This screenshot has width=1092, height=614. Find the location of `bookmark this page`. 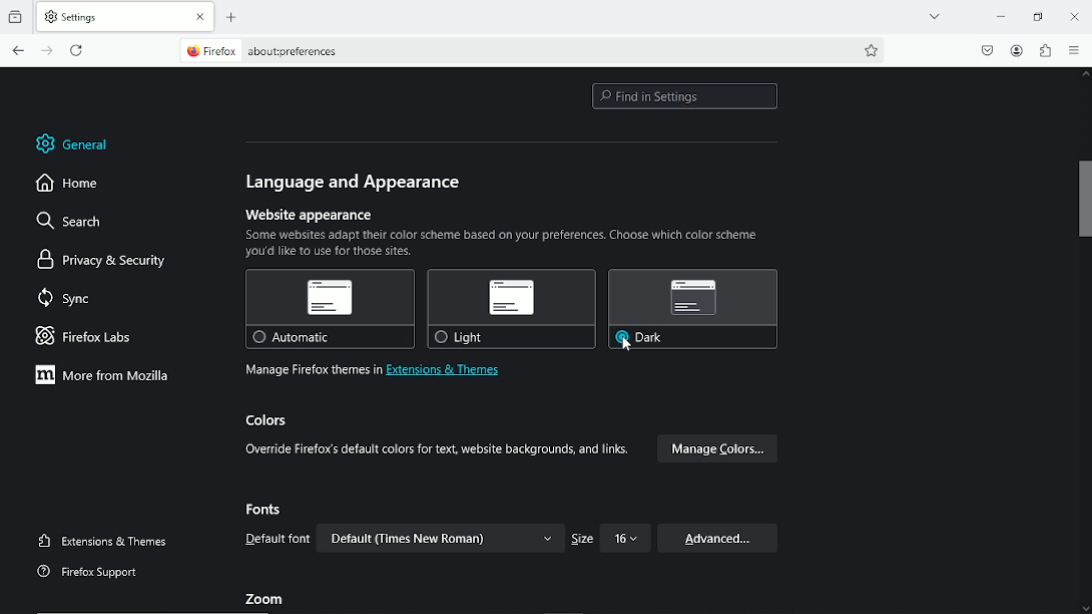

bookmark this page is located at coordinates (872, 50).